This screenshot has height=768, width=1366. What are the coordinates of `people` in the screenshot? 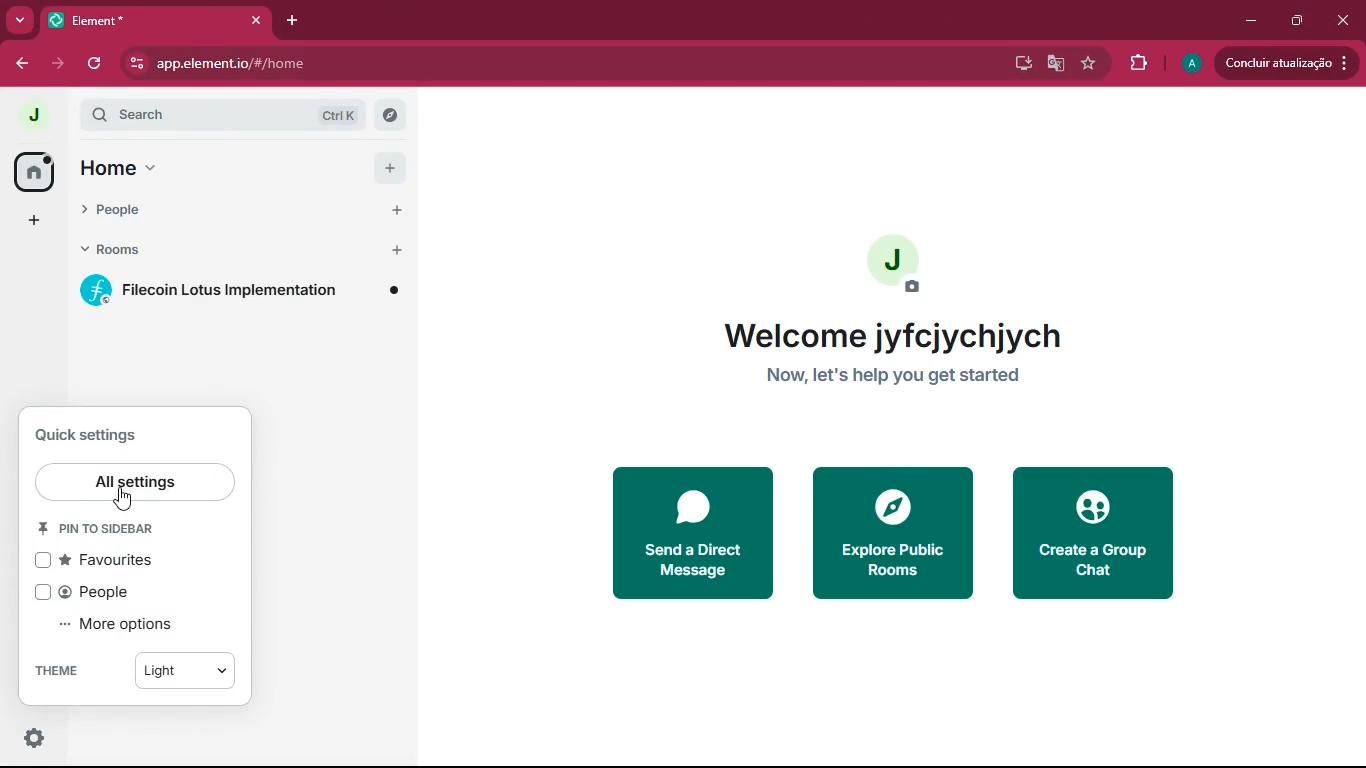 It's located at (124, 593).